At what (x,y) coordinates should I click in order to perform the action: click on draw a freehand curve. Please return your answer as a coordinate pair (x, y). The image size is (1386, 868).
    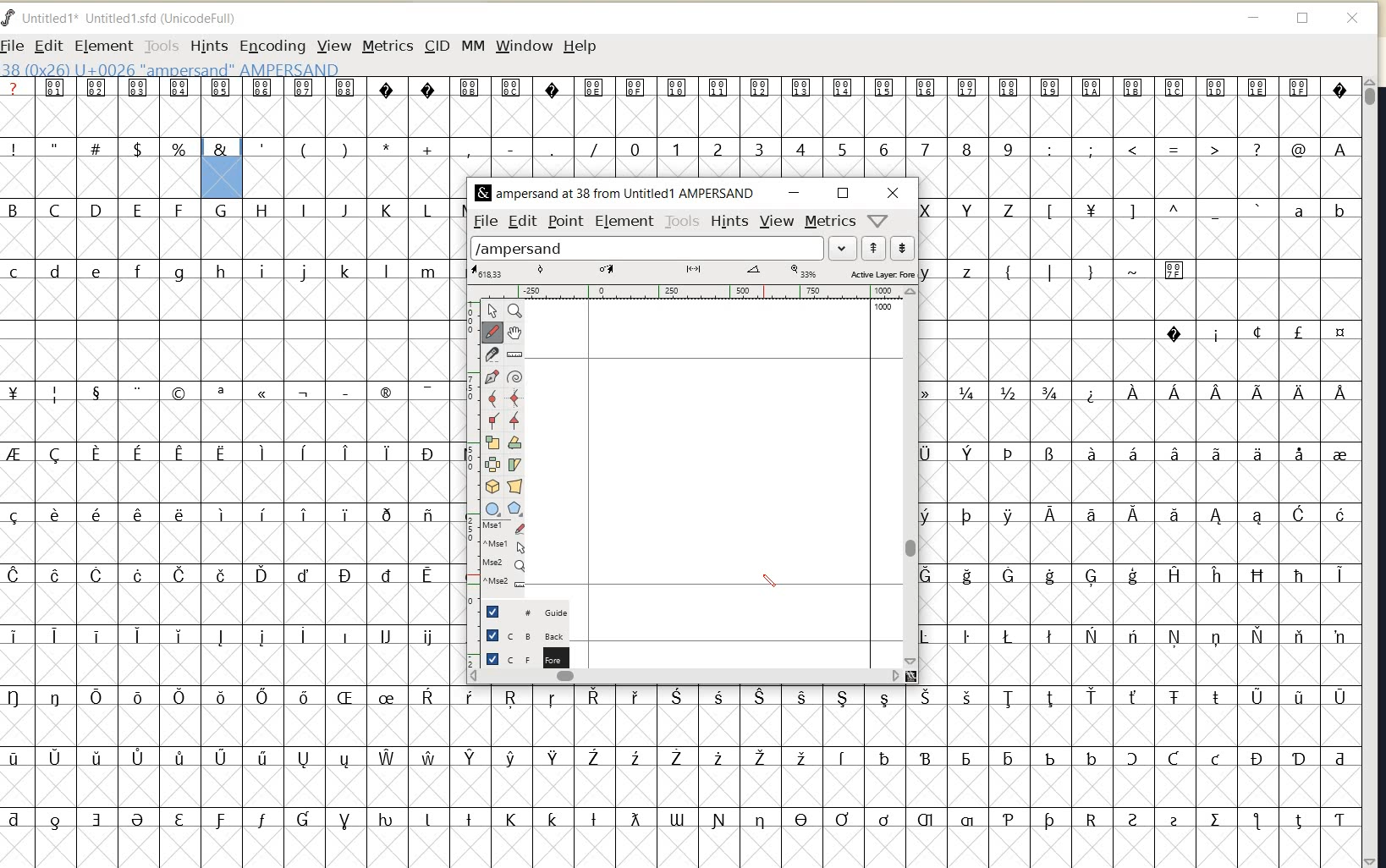
    Looking at the image, I should click on (493, 332).